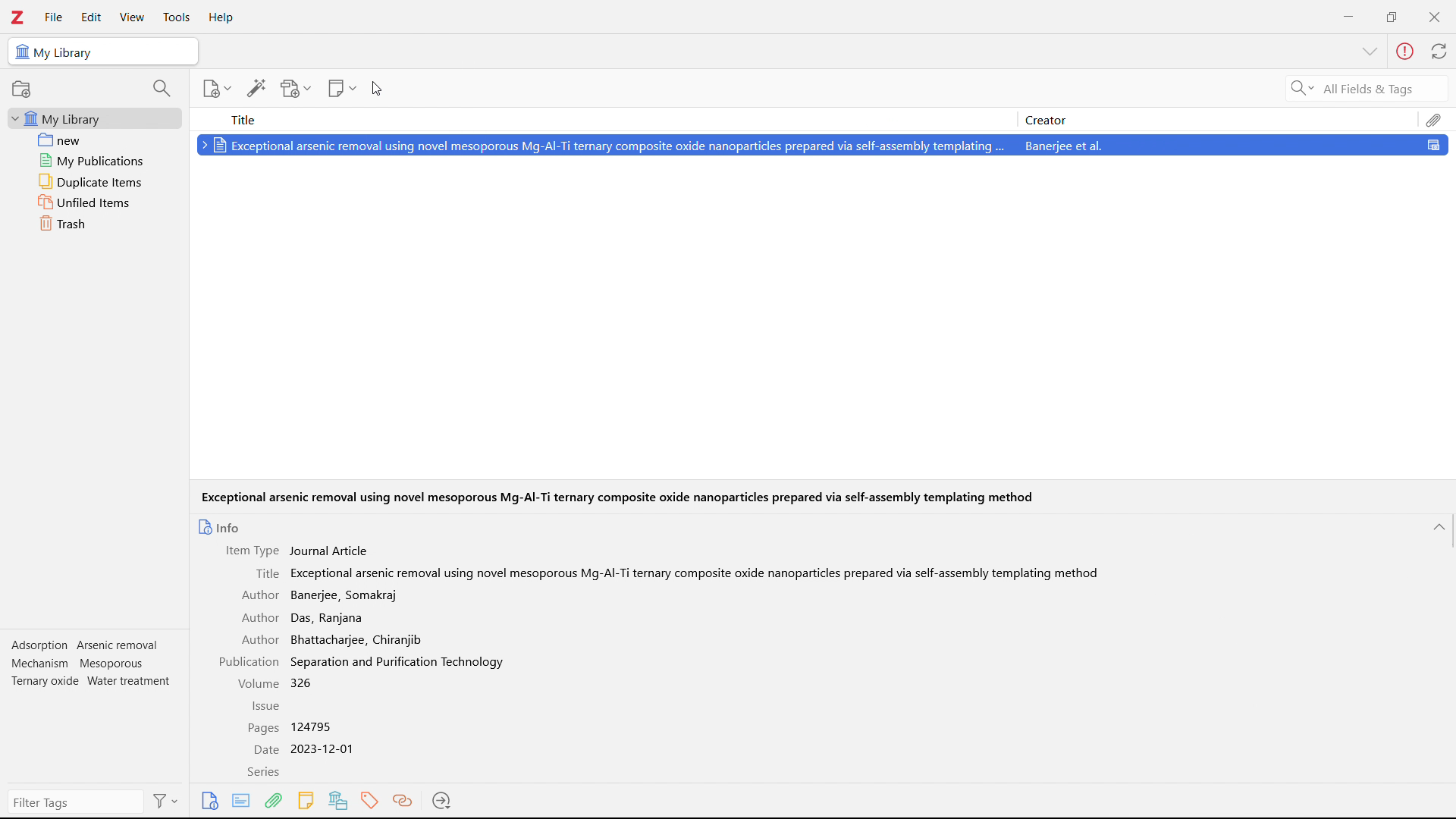  I want to click on 2023-12-01, so click(327, 750).